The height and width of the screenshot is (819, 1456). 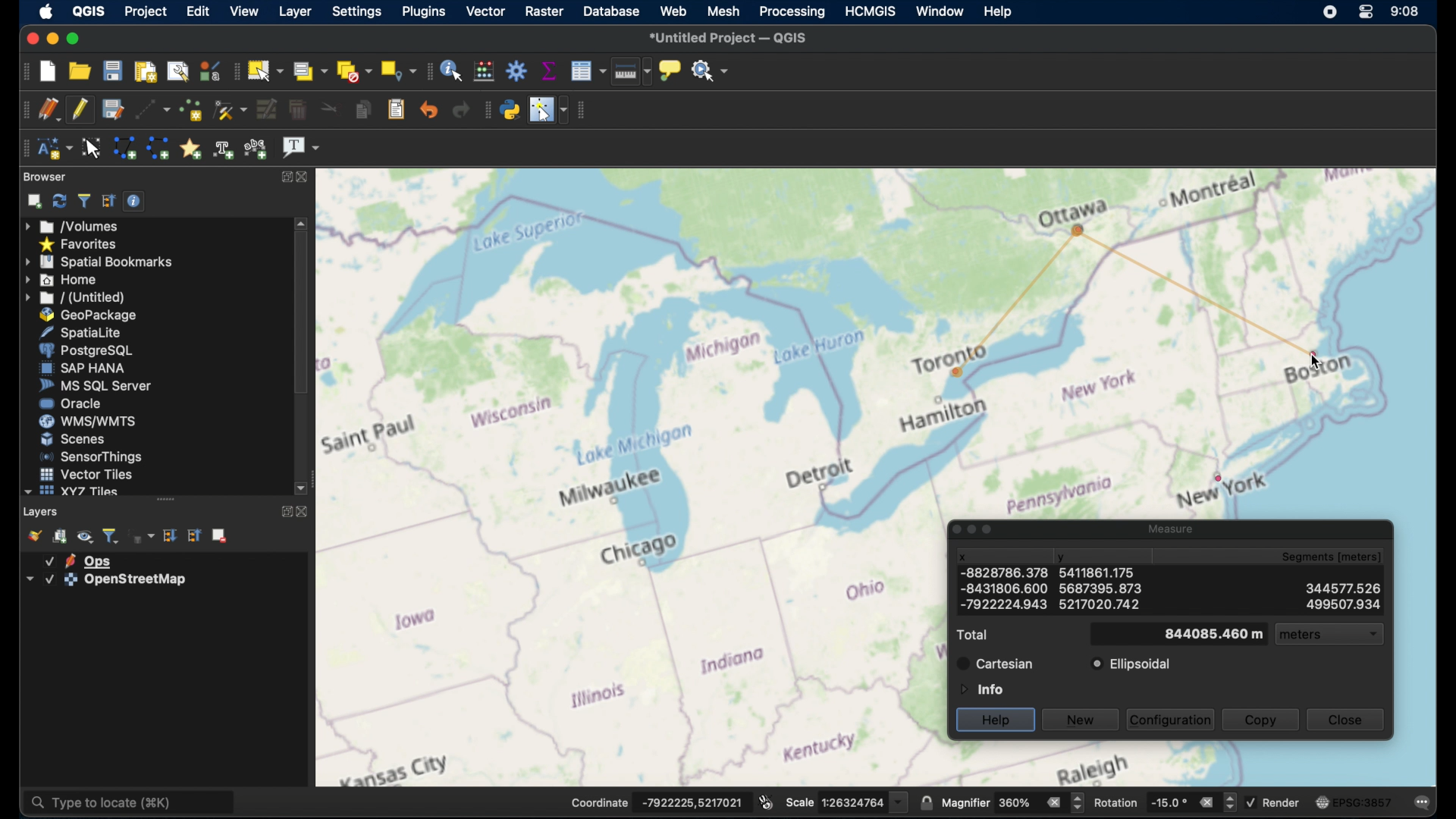 What do you see at coordinates (111, 108) in the screenshot?
I see `save layer edits` at bounding box center [111, 108].